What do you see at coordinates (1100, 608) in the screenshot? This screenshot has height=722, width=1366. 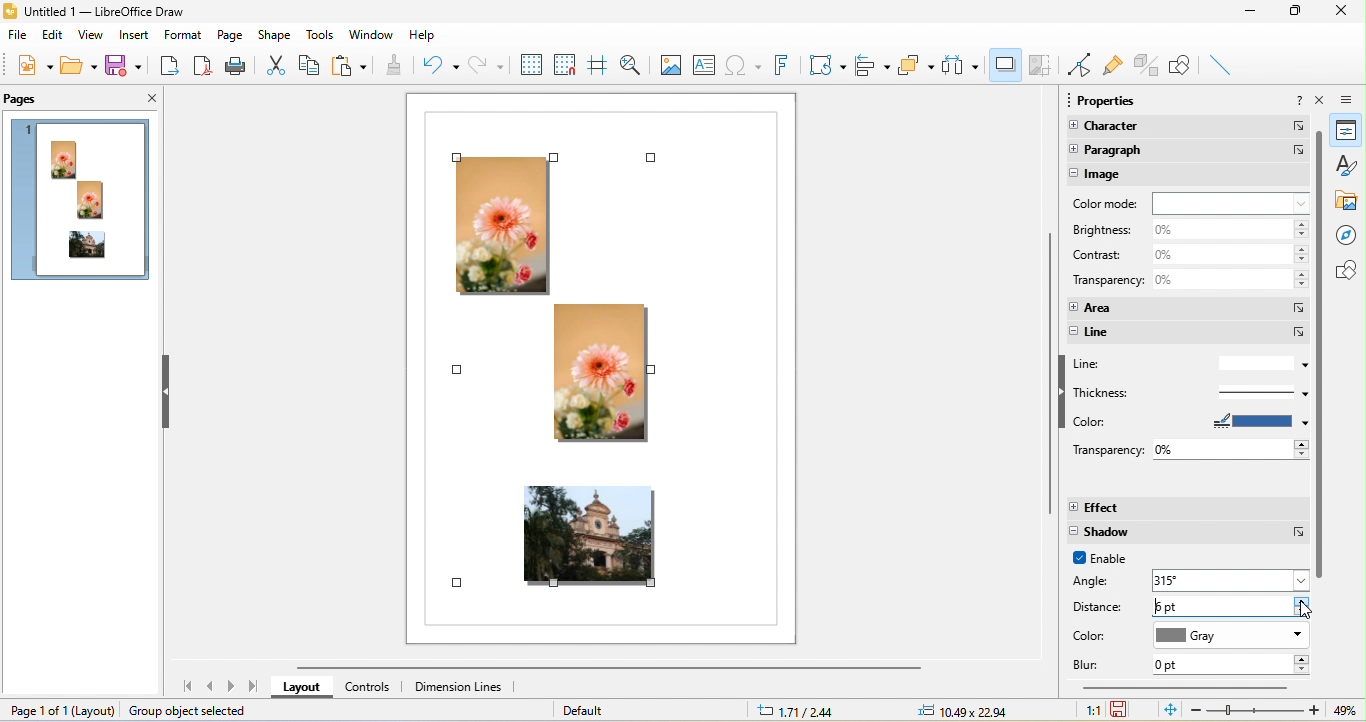 I see `distance` at bounding box center [1100, 608].